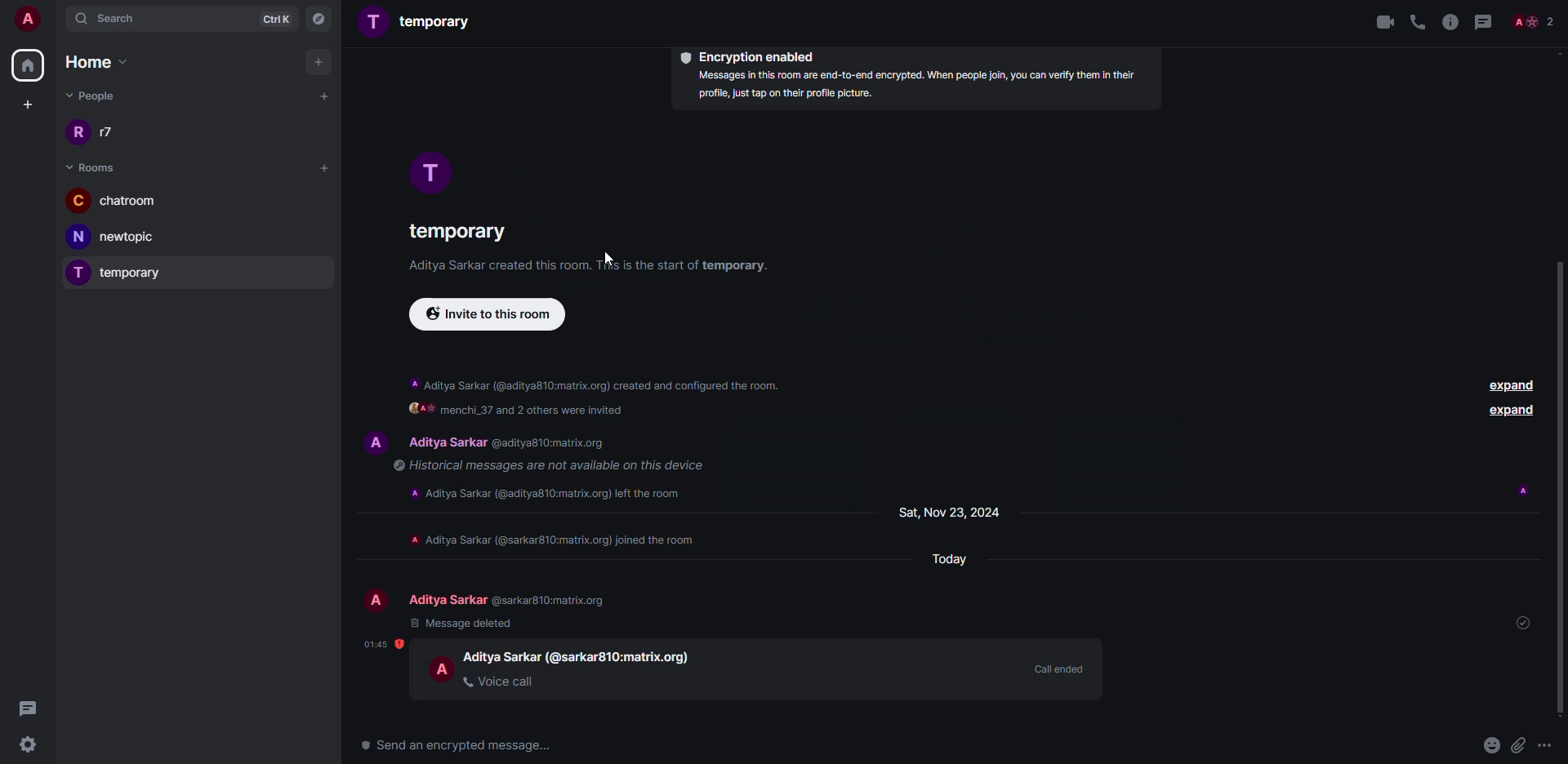 The width and height of the screenshot is (1568, 764). What do you see at coordinates (547, 442) in the screenshot?
I see `id` at bounding box center [547, 442].